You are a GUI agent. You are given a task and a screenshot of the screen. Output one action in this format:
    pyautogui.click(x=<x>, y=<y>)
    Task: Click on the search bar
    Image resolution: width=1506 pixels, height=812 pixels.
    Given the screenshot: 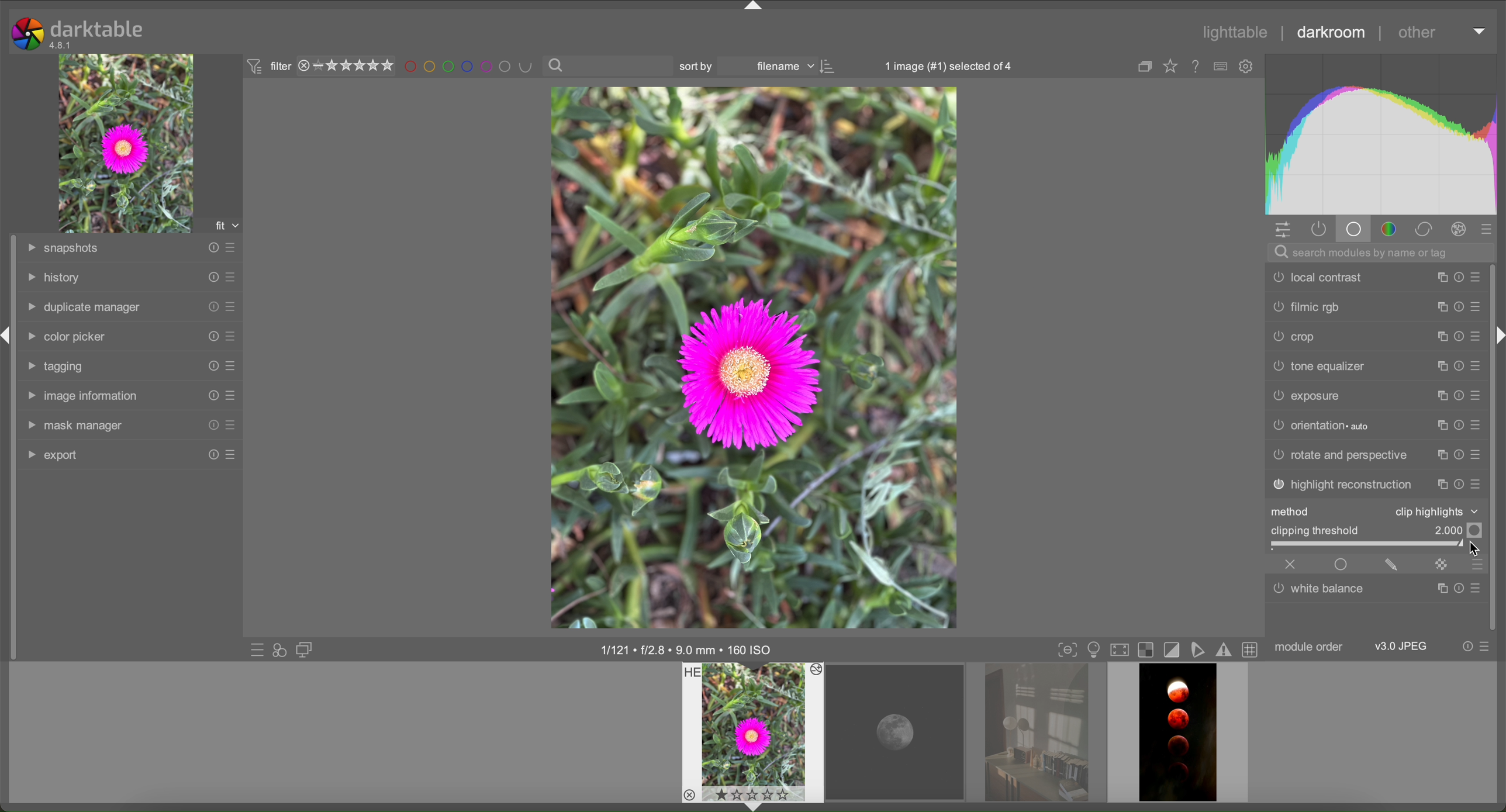 What is the action you would take?
    pyautogui.click(x=609, y=66)
    